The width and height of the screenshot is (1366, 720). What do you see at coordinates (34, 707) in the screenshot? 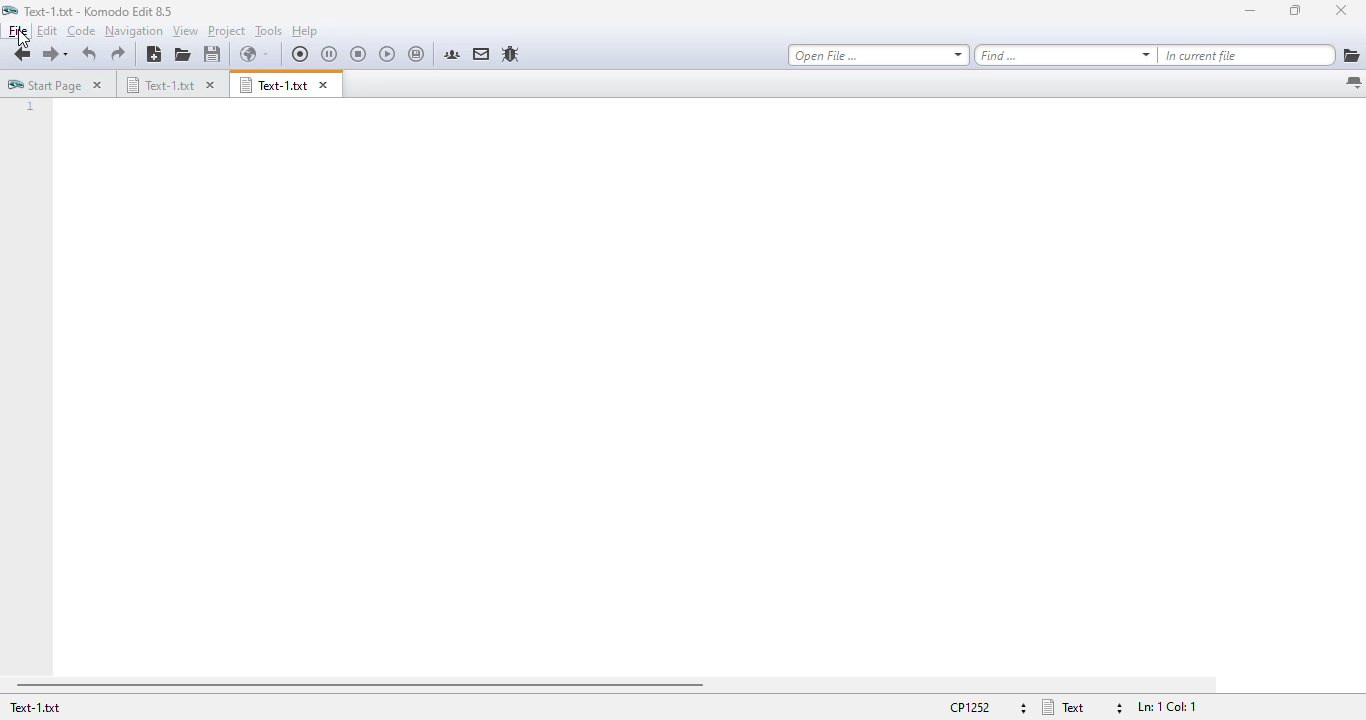
I see `text-1` at bounding box center [34, 707].